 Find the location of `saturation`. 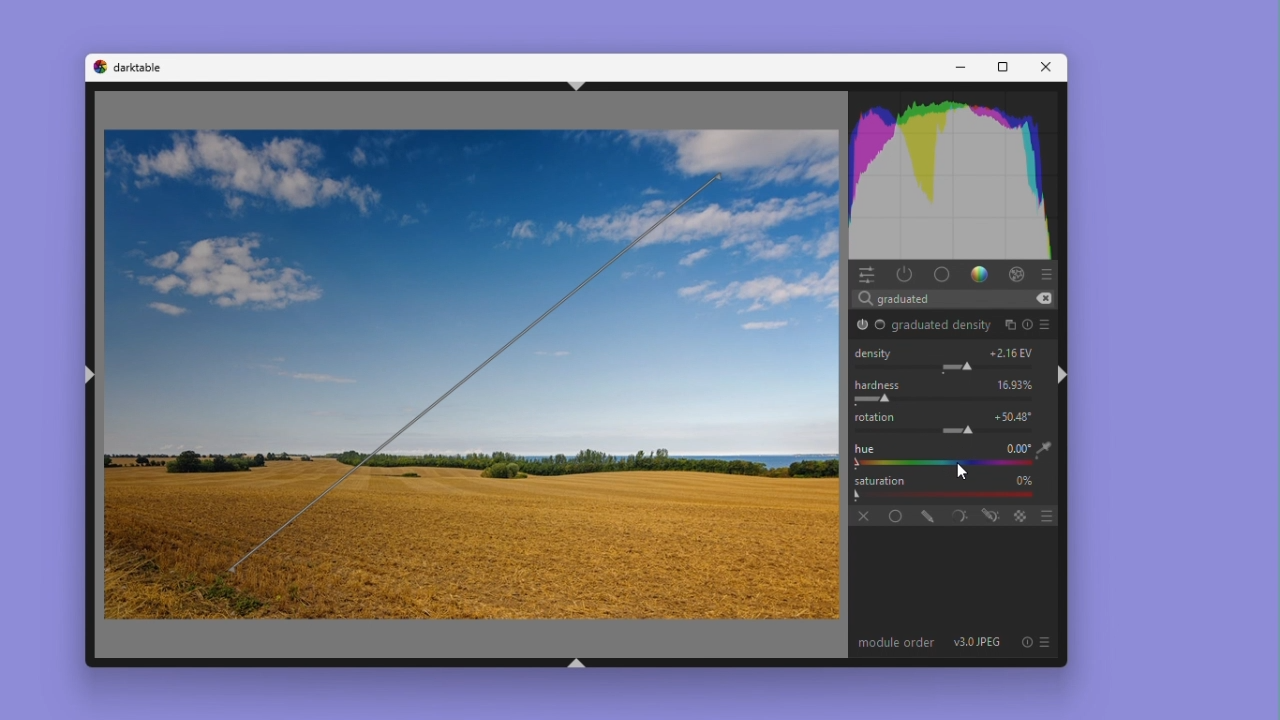

saturation is located at coordinates (883, 480).